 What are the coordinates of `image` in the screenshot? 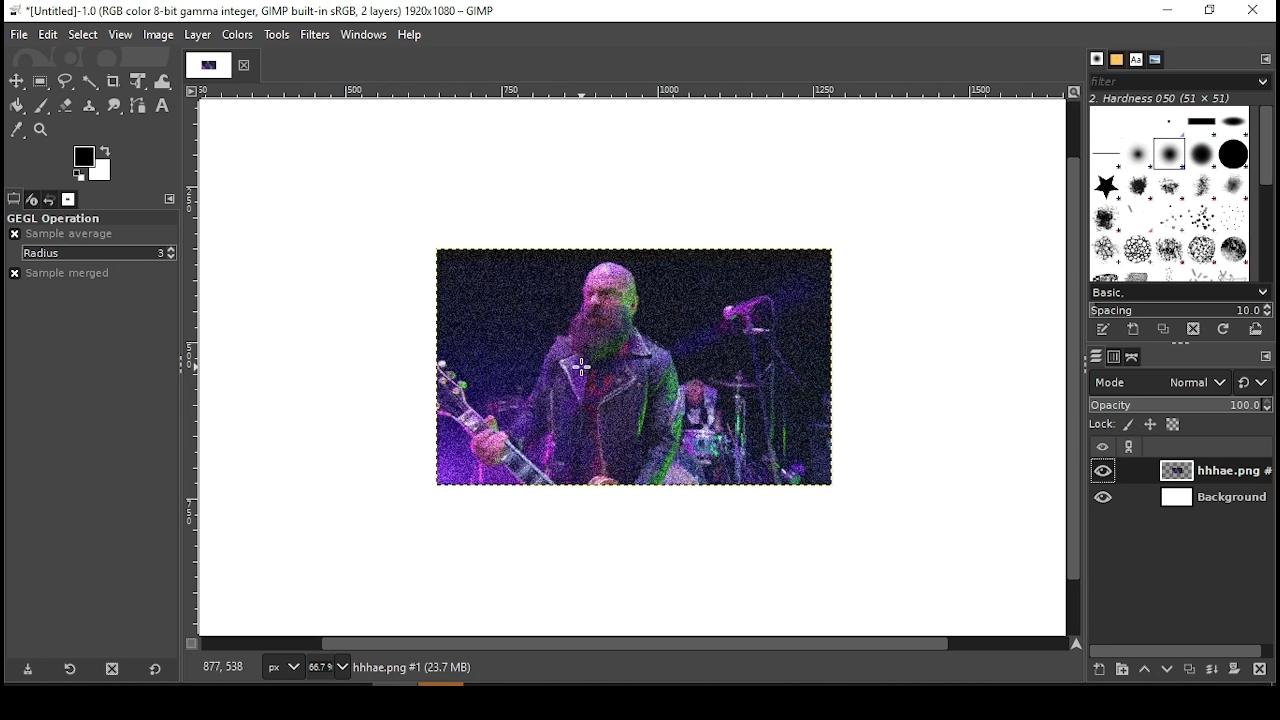 It's located at (159, 34).